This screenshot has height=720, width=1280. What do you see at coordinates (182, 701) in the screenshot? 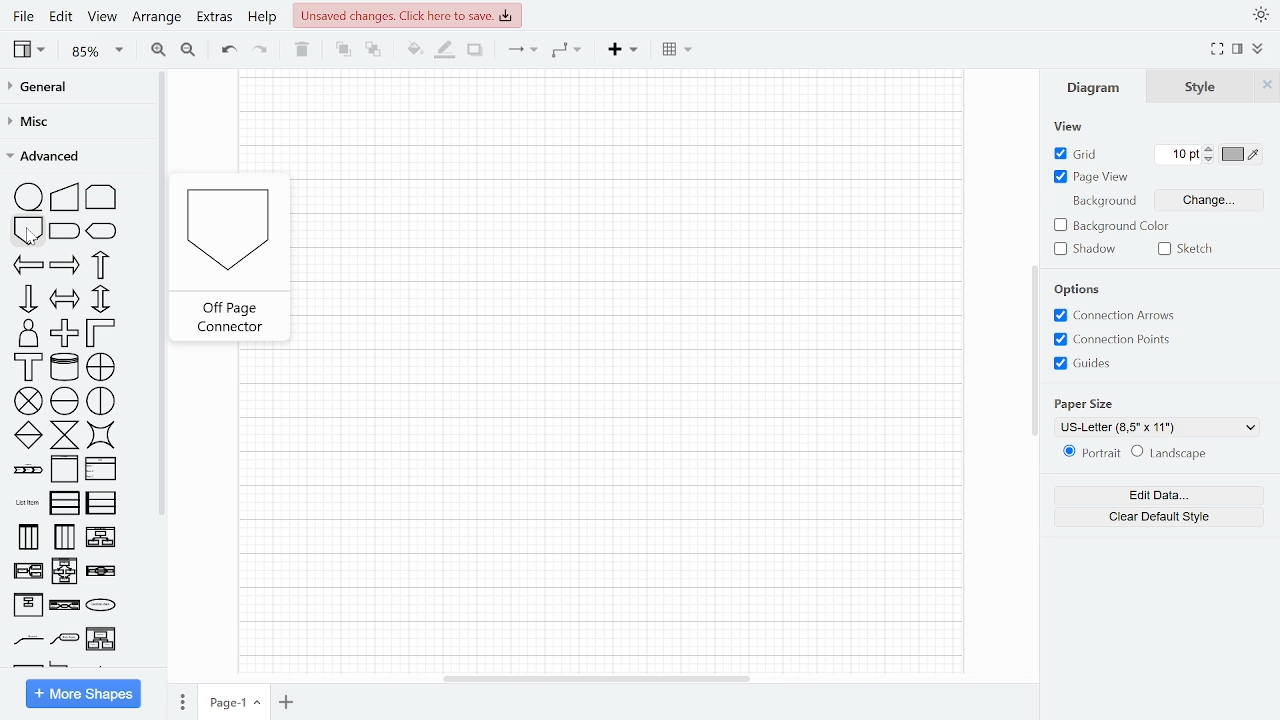
I see `Pages` at bounding box center [182, 701].